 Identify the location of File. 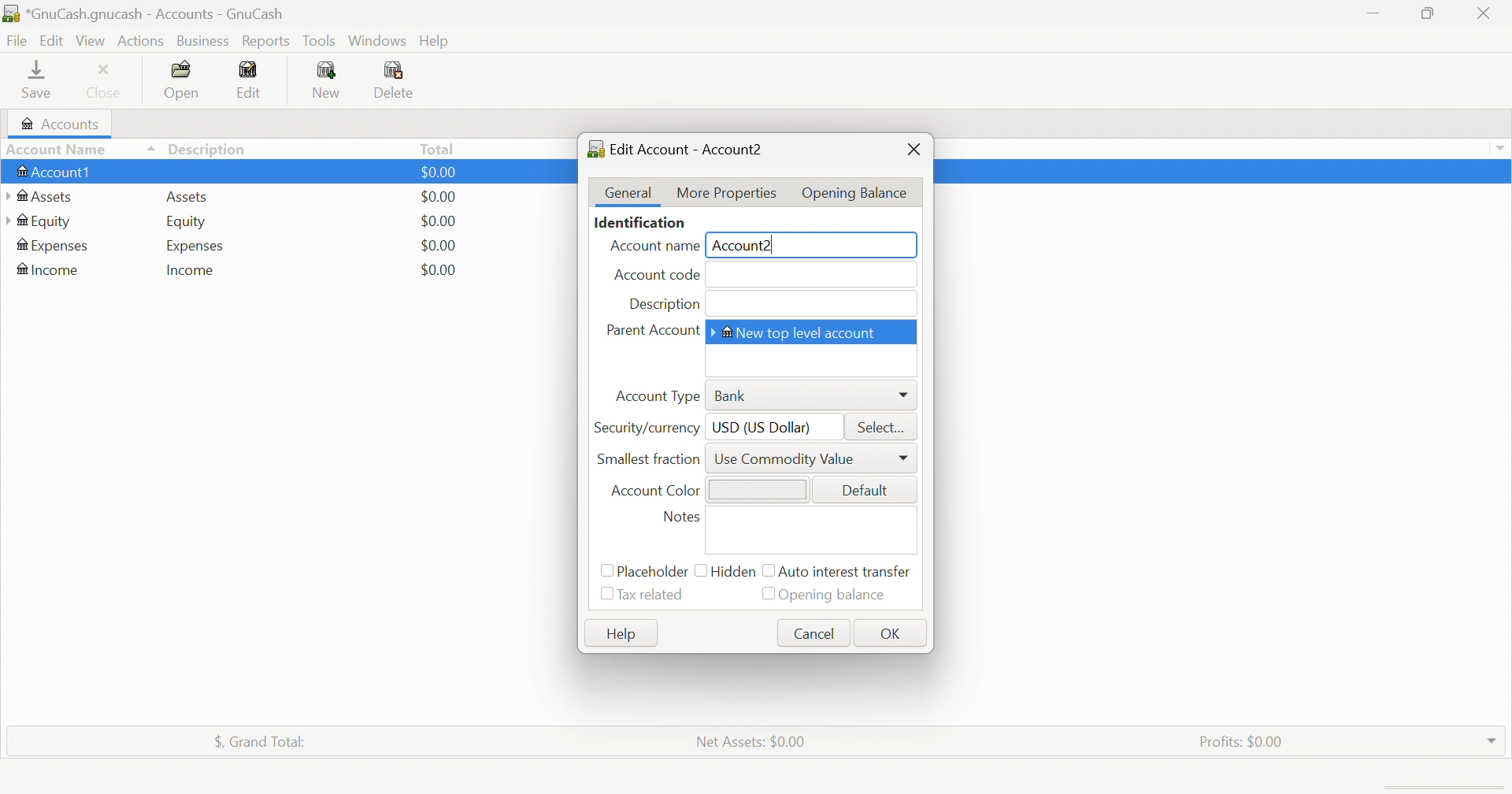
(17, 41).